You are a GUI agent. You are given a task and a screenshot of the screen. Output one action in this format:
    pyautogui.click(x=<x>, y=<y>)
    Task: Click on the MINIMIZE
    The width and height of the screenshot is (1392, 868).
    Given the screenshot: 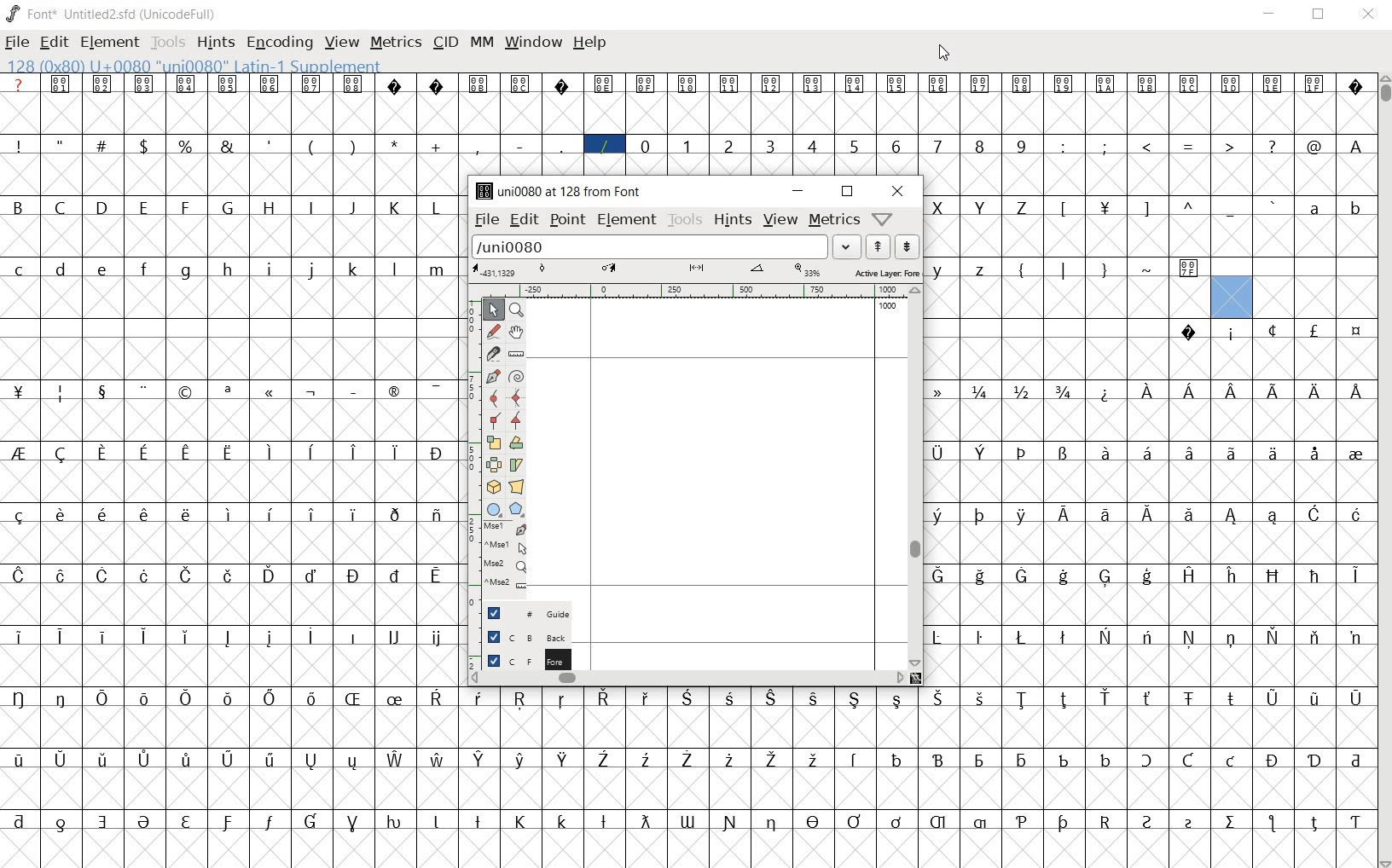 What is the action you would take?
    pyautogui.click(x=1271, y=13)
    